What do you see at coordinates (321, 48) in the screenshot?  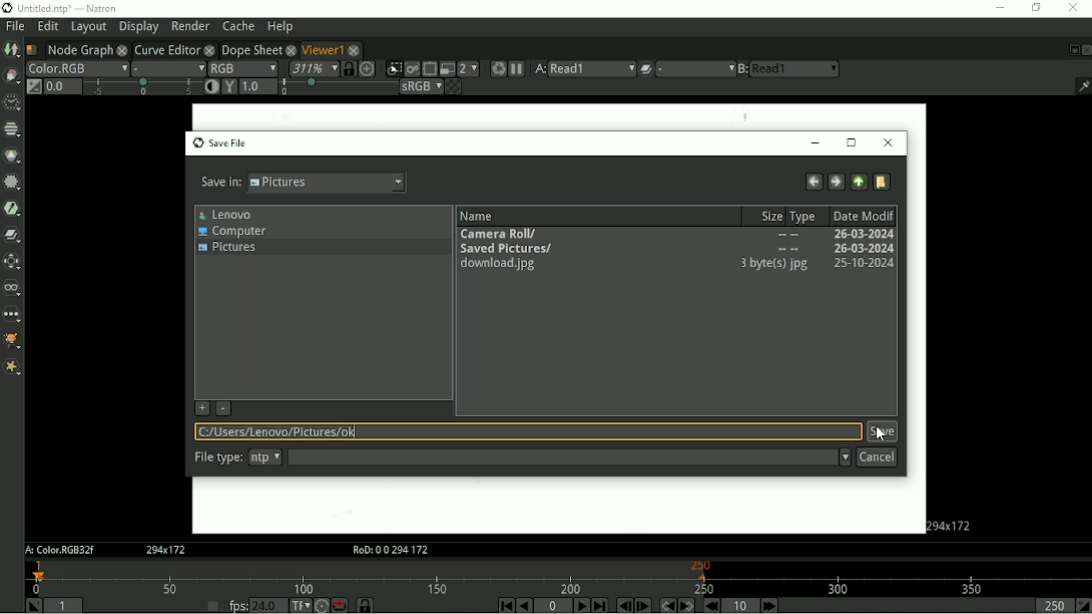 I see `Viewer1` at bounding box center [321, 48].